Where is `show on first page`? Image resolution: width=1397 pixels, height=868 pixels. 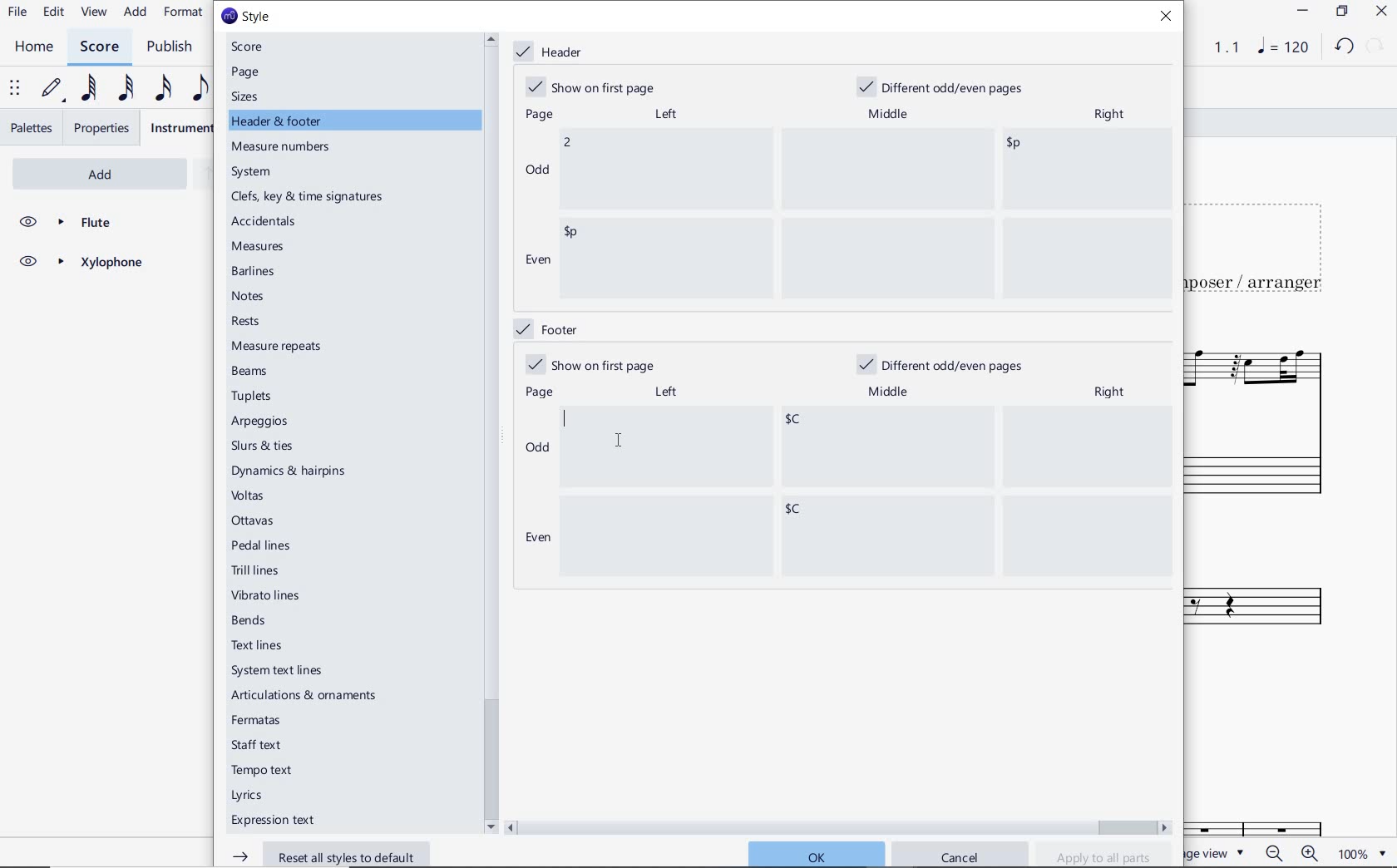
show on first page is located at coordinates (590, 364).